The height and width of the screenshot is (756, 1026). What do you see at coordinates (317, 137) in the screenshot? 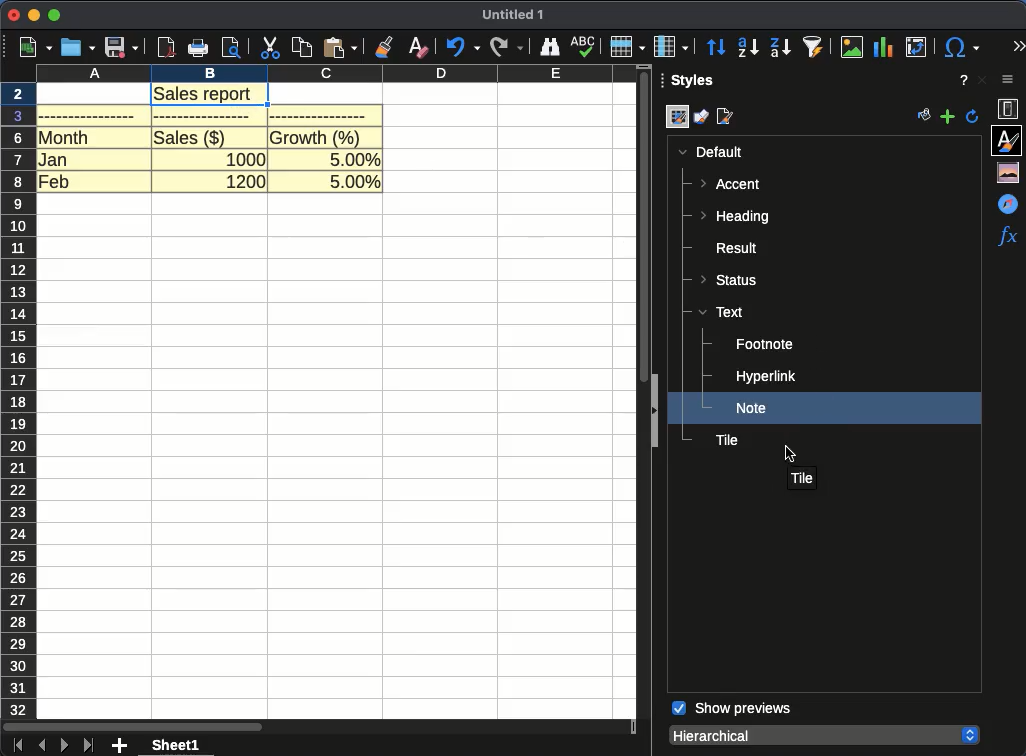
I see `growth (%)` at bounding box center [317, 137].